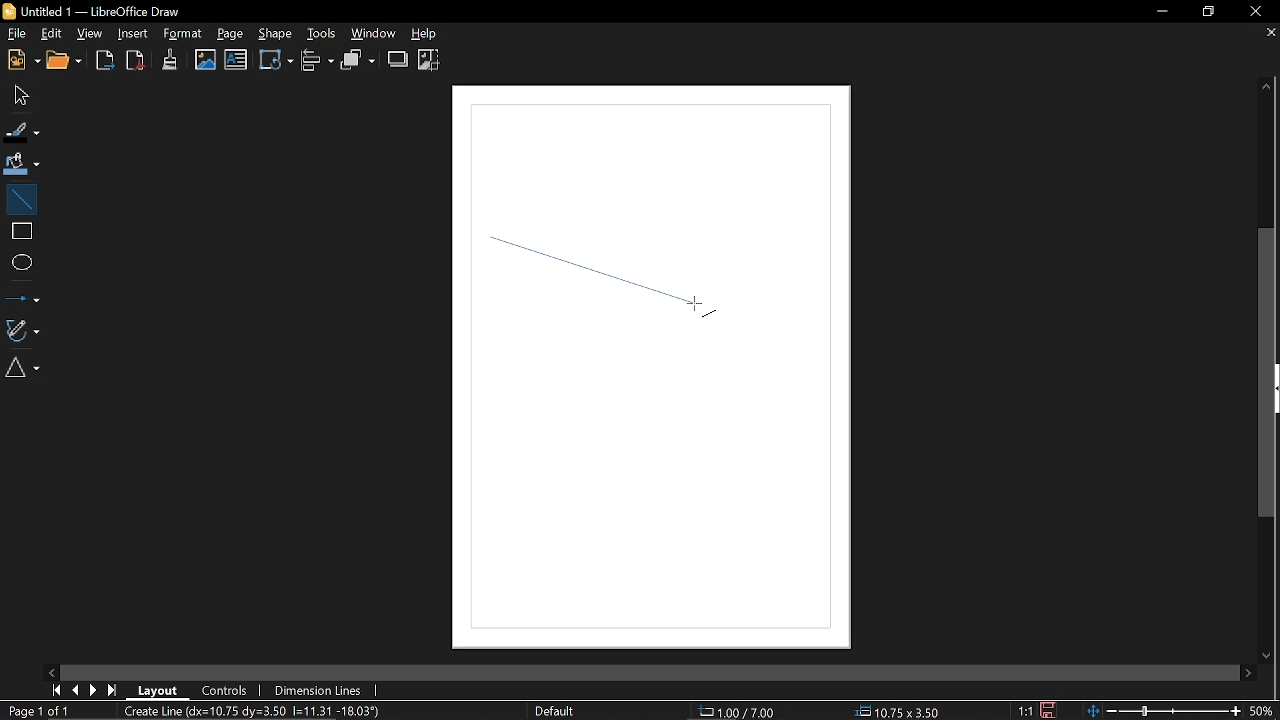 The height and width of the screenshot is (720, 1280). I want to click on Align, so click(318, 62).